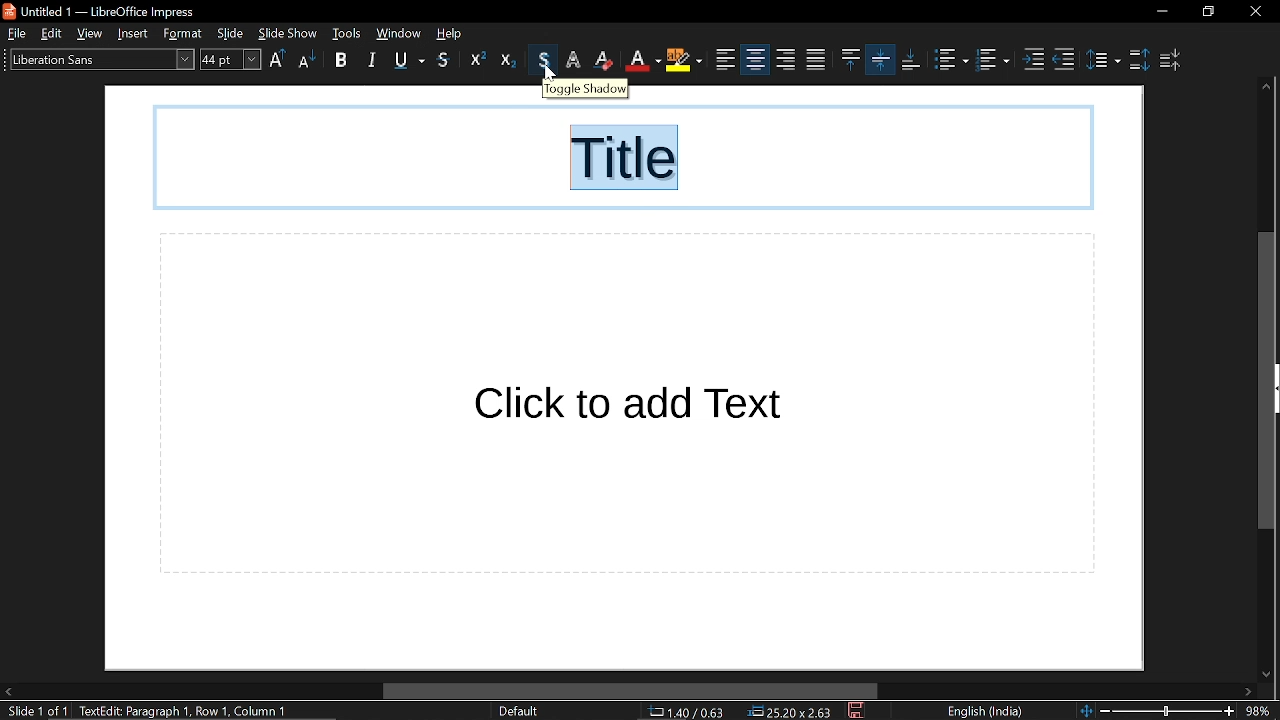  Describe the element at coordinates (1266, 380) in the screenshot. I see `vertical scrollbar` at that location.